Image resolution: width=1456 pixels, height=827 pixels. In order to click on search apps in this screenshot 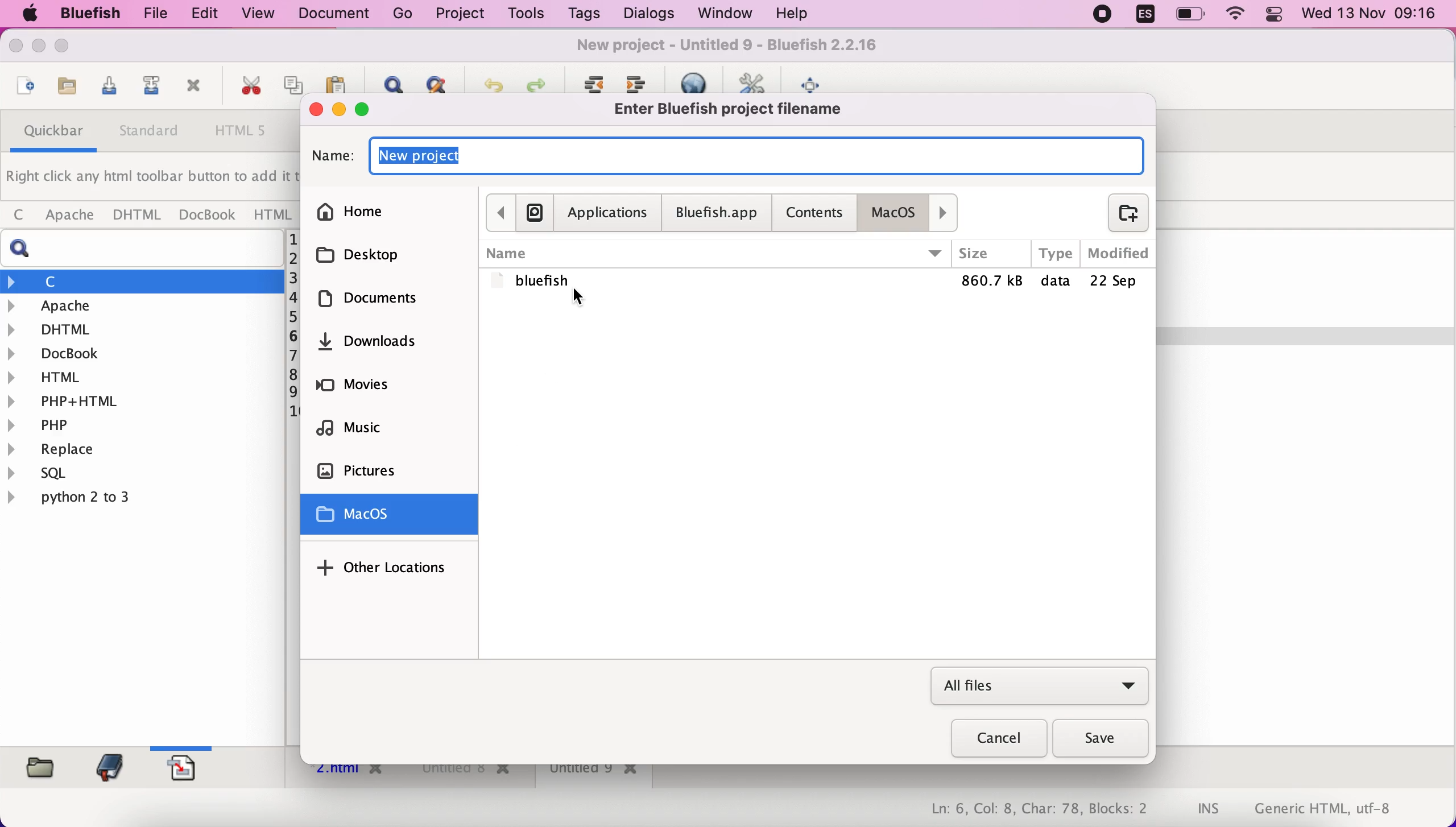, I will do `click(534, 212)`.